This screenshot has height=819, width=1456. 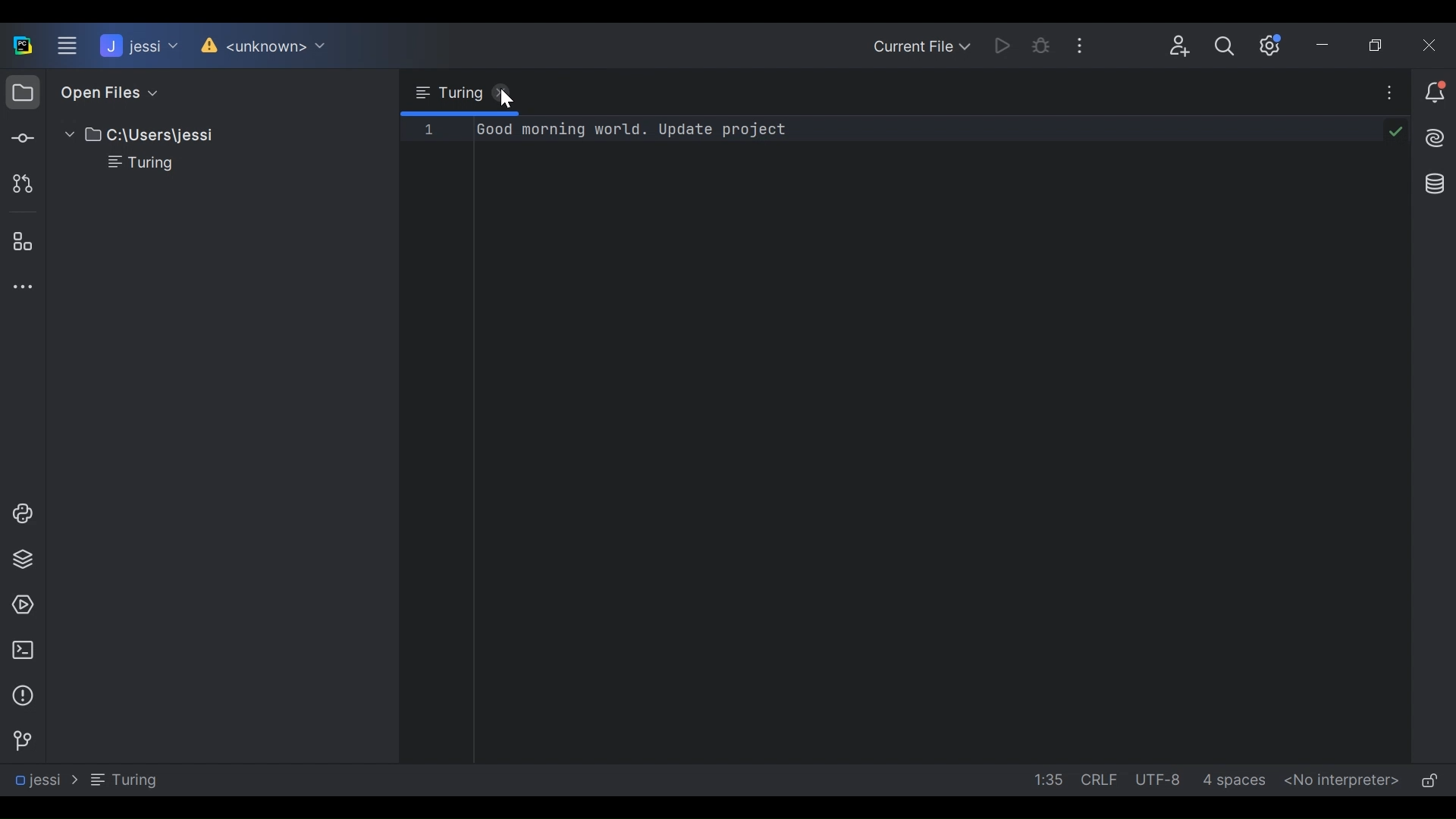 What do you see at coordinates (1435, 184) in the screenshot?
I see `Database` at bounding box center [1435, 184].